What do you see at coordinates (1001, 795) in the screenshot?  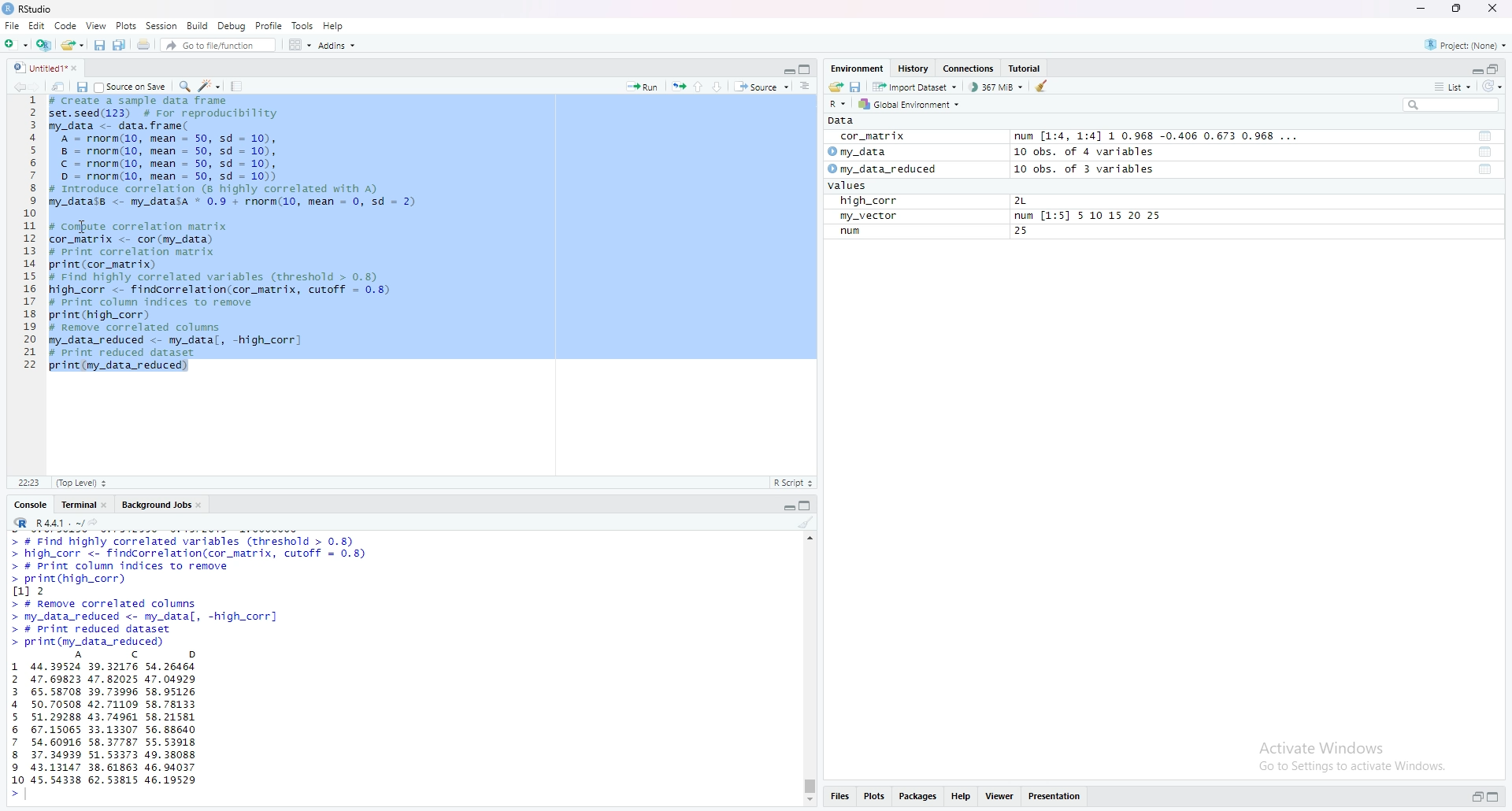 I see `Viewer` at bounding box center [1001, 795].